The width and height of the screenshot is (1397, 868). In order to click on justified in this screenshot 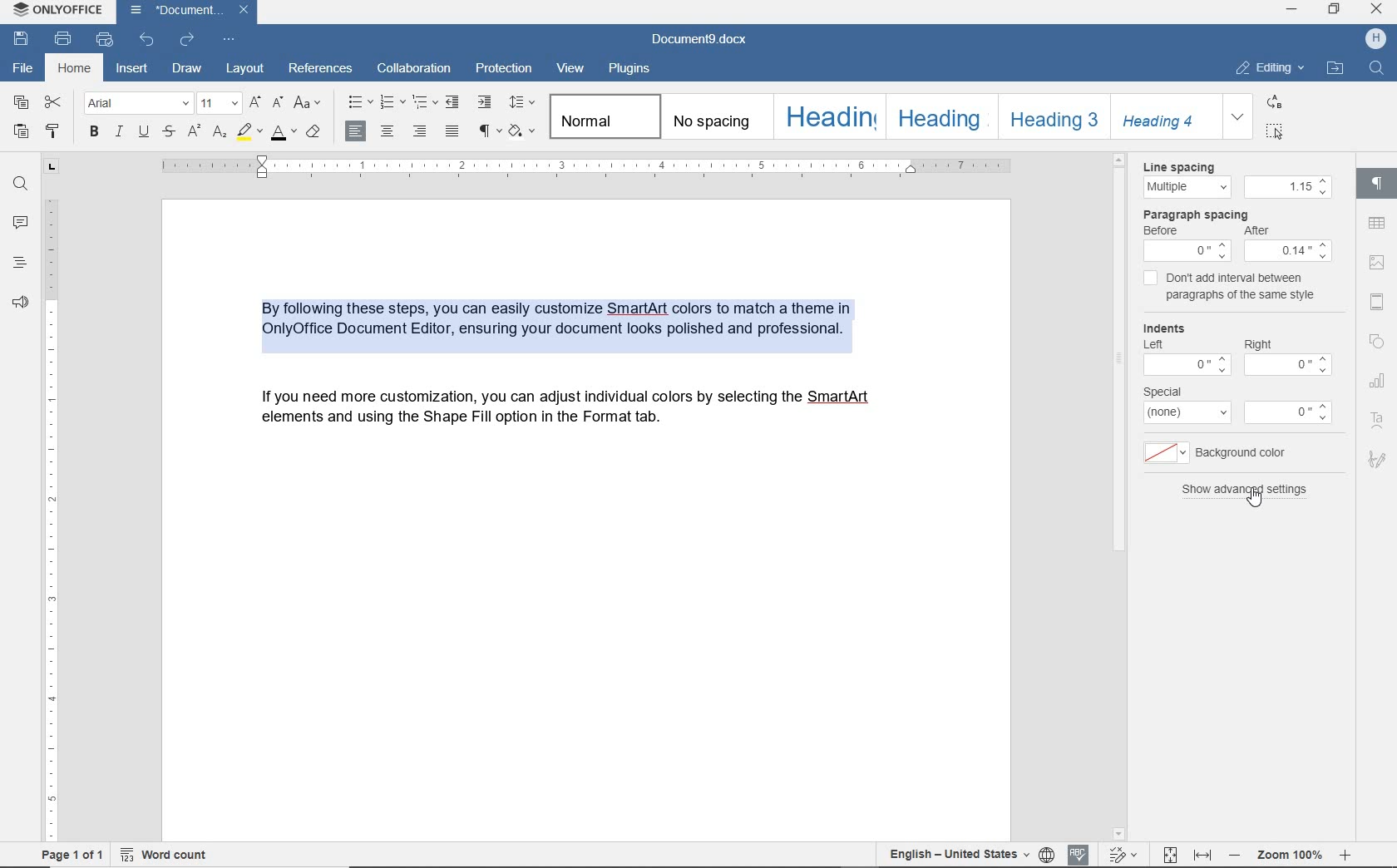, I will do `click(449, 133)`.